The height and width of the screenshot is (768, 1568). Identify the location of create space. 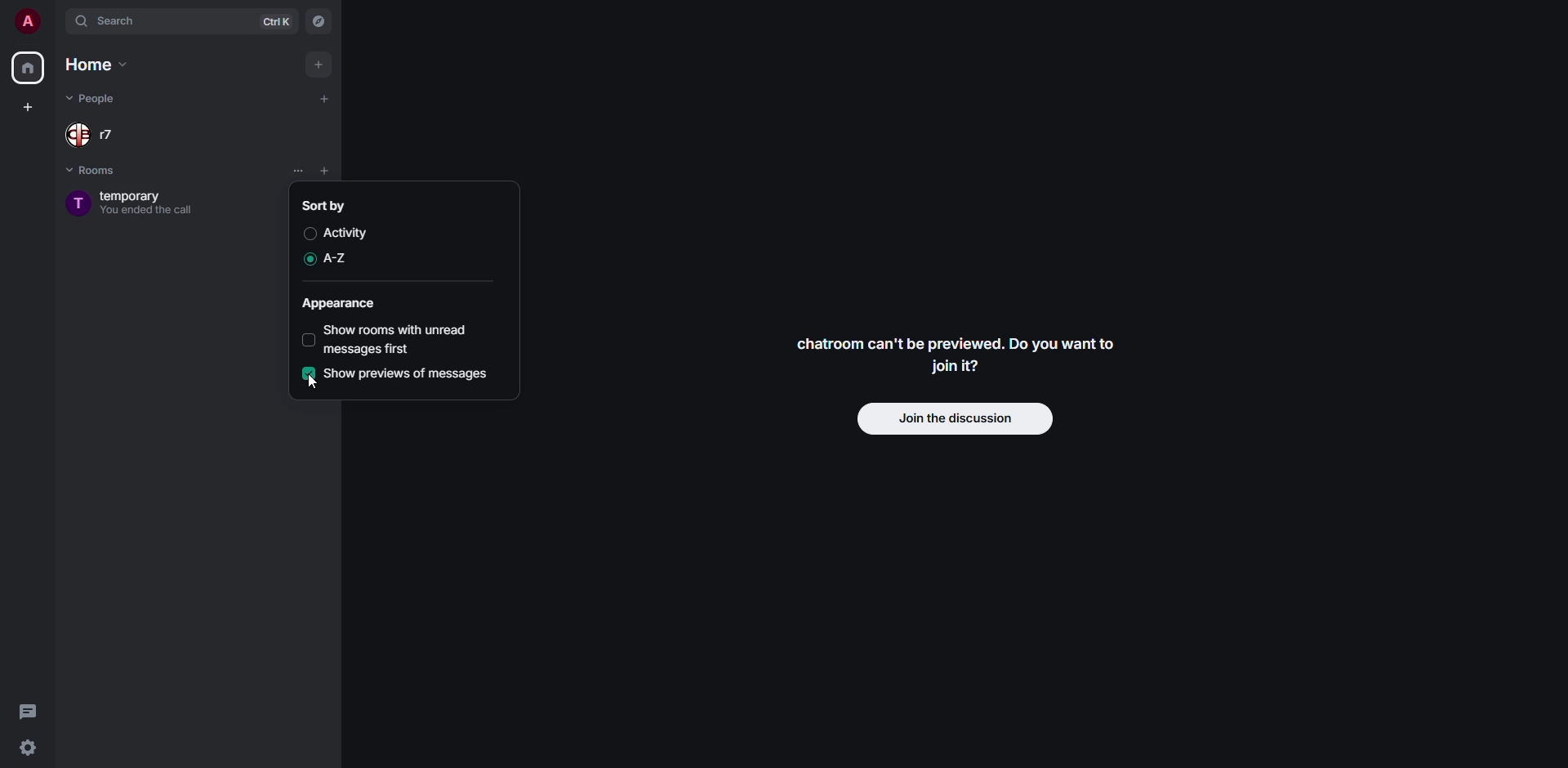
(28, 106).